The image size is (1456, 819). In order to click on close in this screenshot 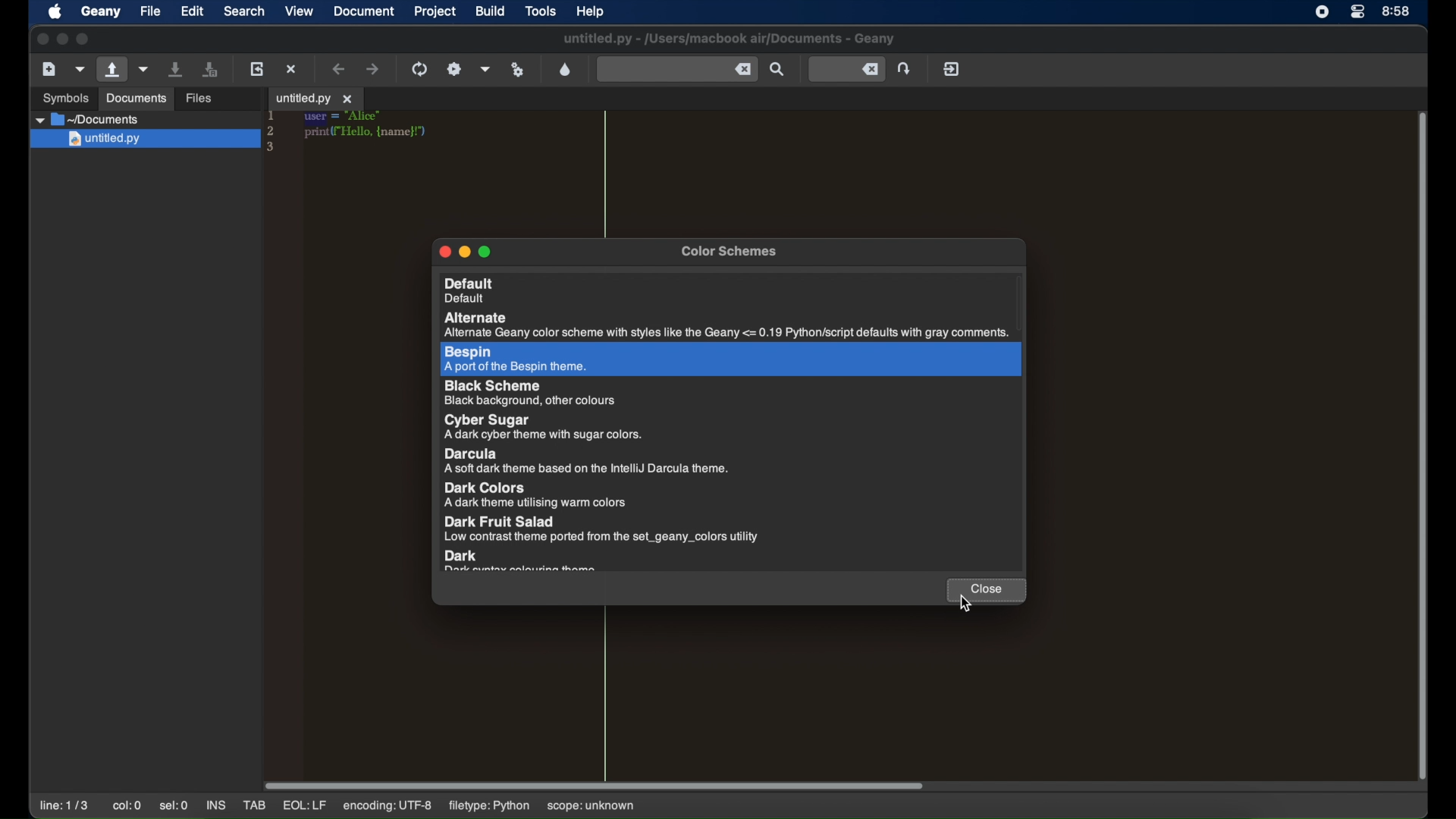, I will do `click(41, 39)`.